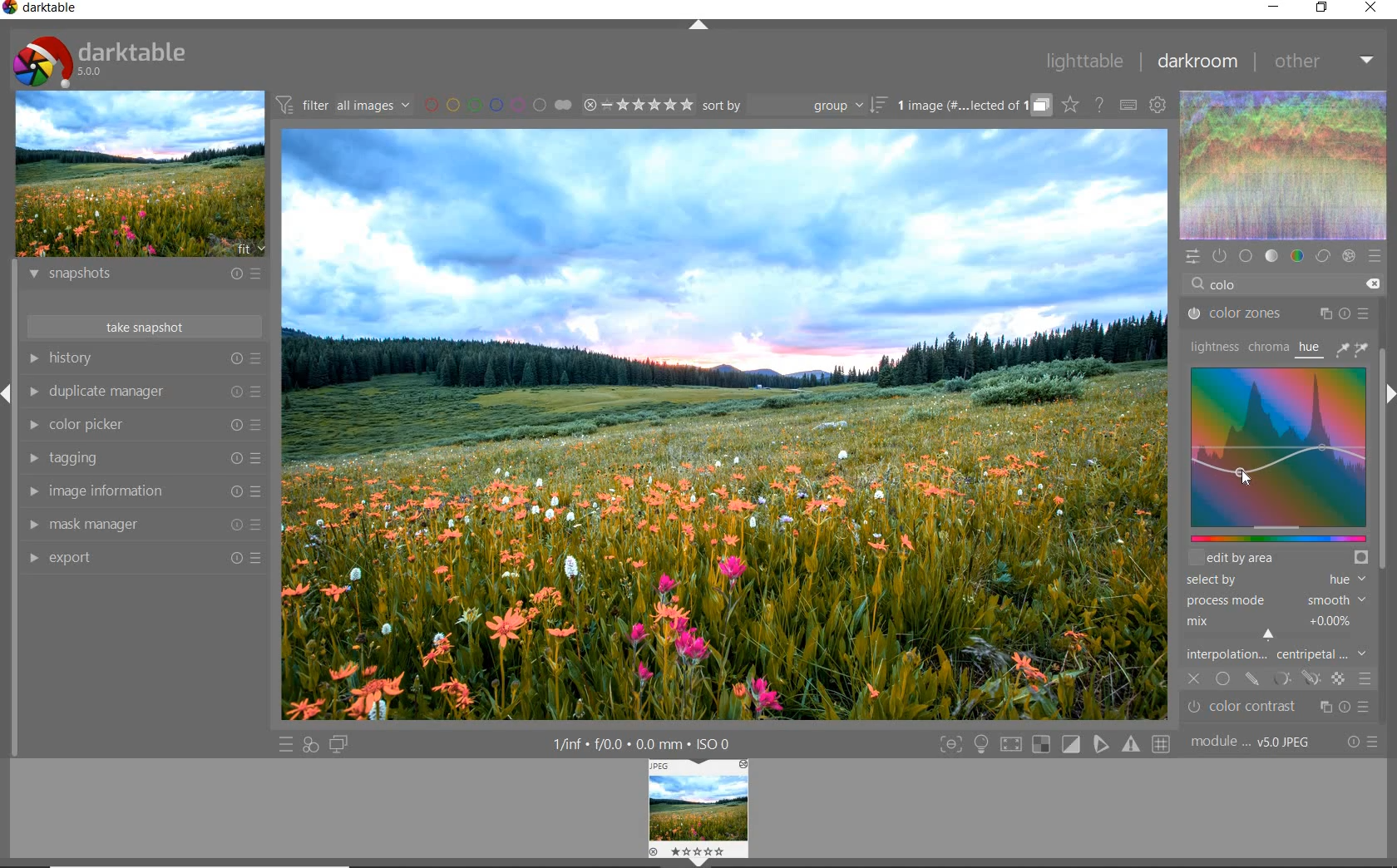 The height and width of the screenshot is (868, 1397). What do you see at coordinates (338, 743) in the screenshot?
I see `display a second darkroom image window` at bounding box center [338, 743].